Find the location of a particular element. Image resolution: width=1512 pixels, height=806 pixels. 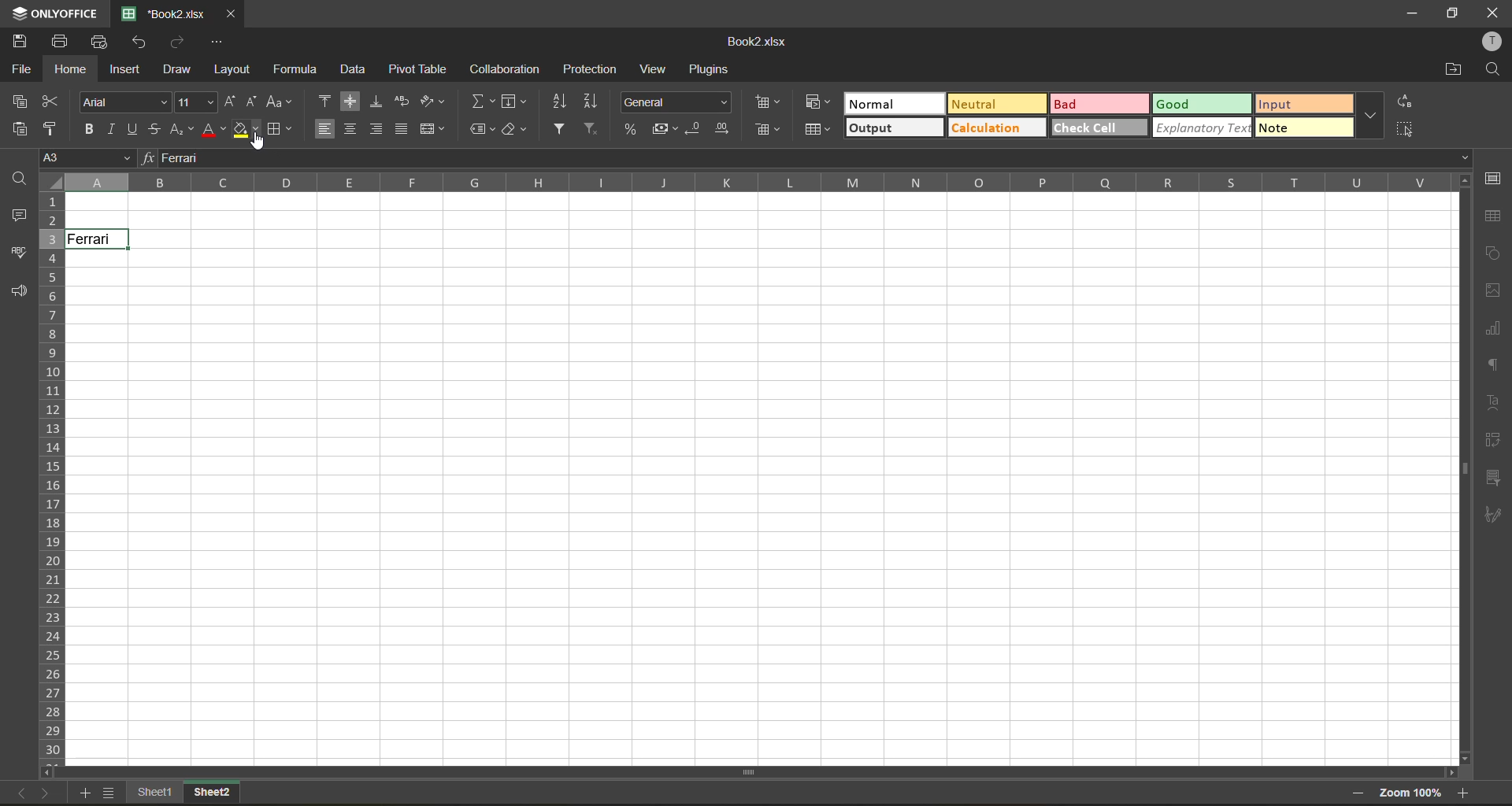

normal is located at coordinates (890, 104).